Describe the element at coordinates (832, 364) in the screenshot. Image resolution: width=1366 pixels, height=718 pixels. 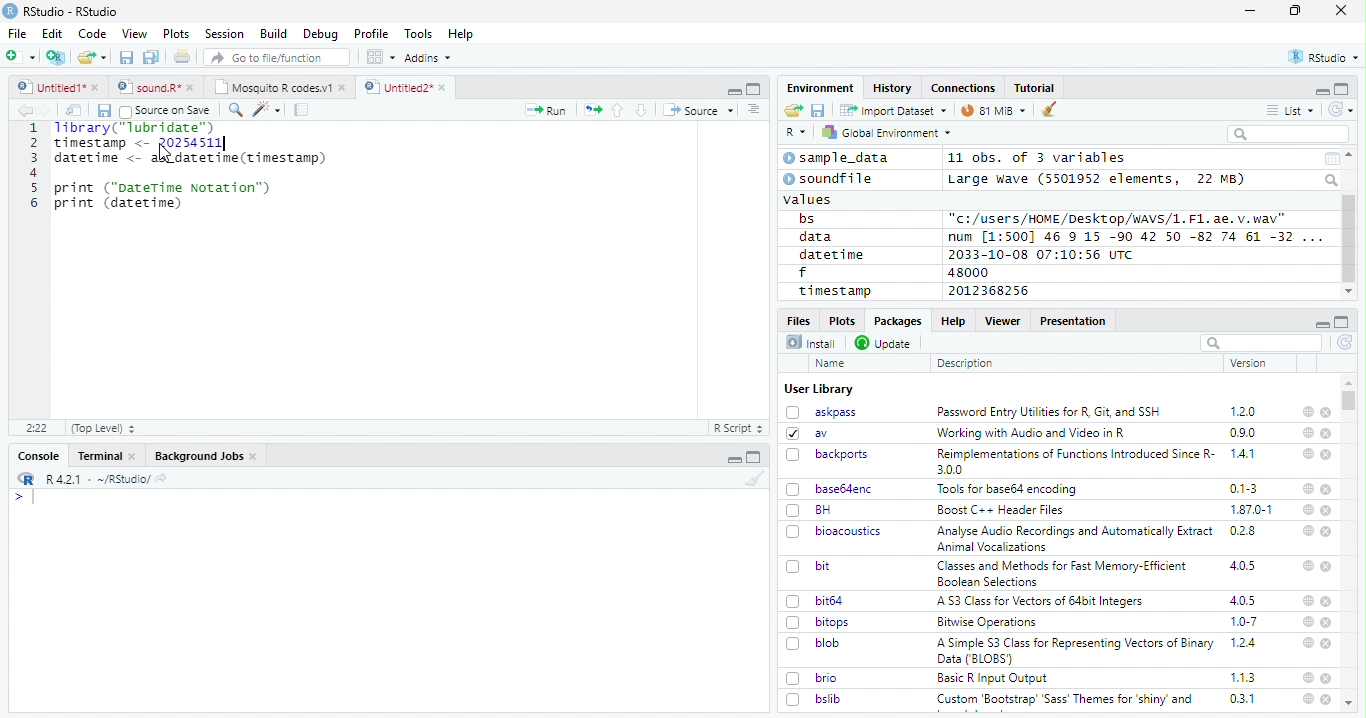
I see `Name` at that location.